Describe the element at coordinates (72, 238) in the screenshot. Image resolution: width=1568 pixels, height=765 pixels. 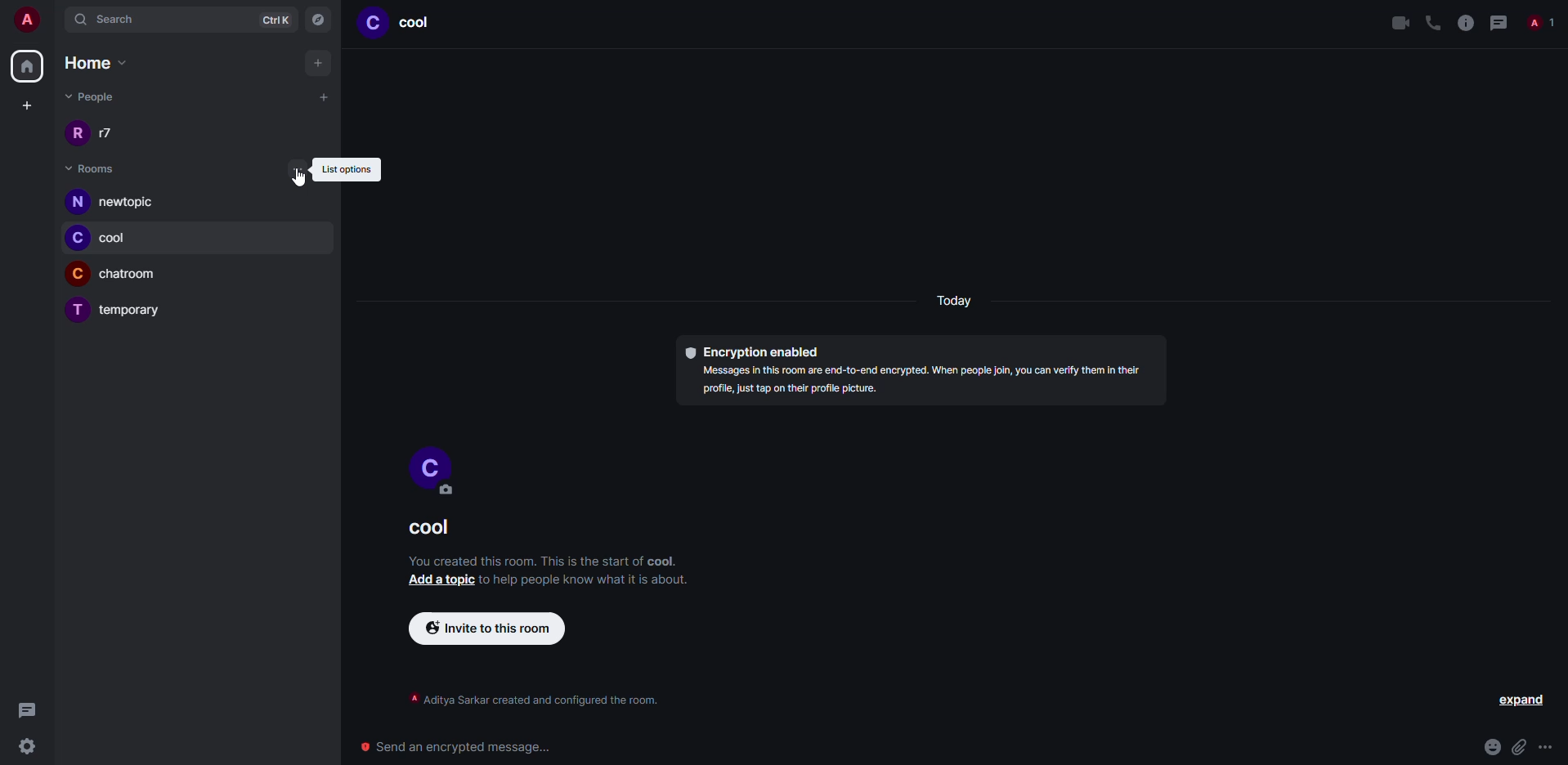
I see `profile` at that location.